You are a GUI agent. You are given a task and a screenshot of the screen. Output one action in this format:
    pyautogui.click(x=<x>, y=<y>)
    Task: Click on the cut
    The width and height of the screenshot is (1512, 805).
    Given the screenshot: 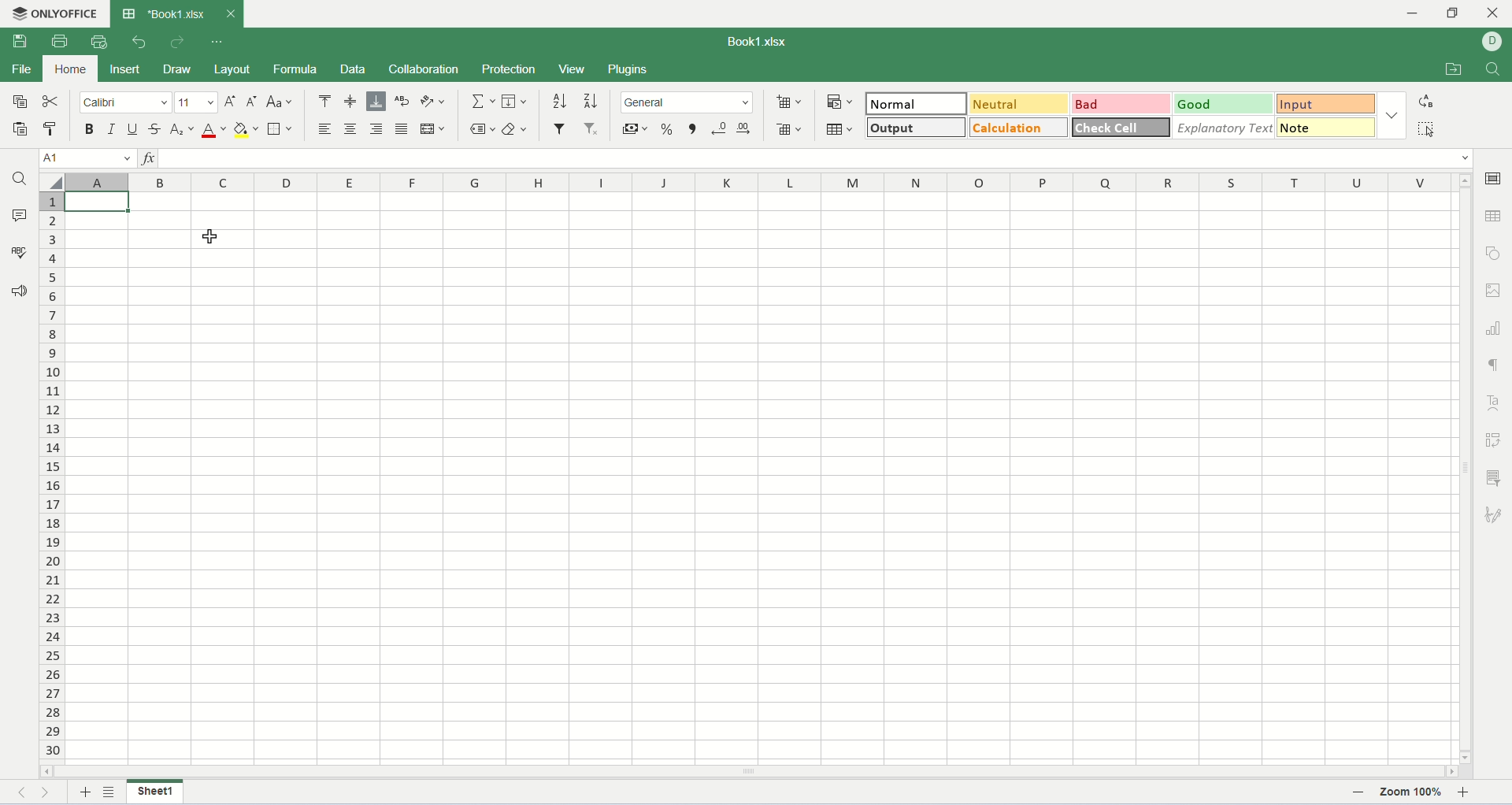 What is the action you would take?
    pyautogui.click(x=51, y=102)
    